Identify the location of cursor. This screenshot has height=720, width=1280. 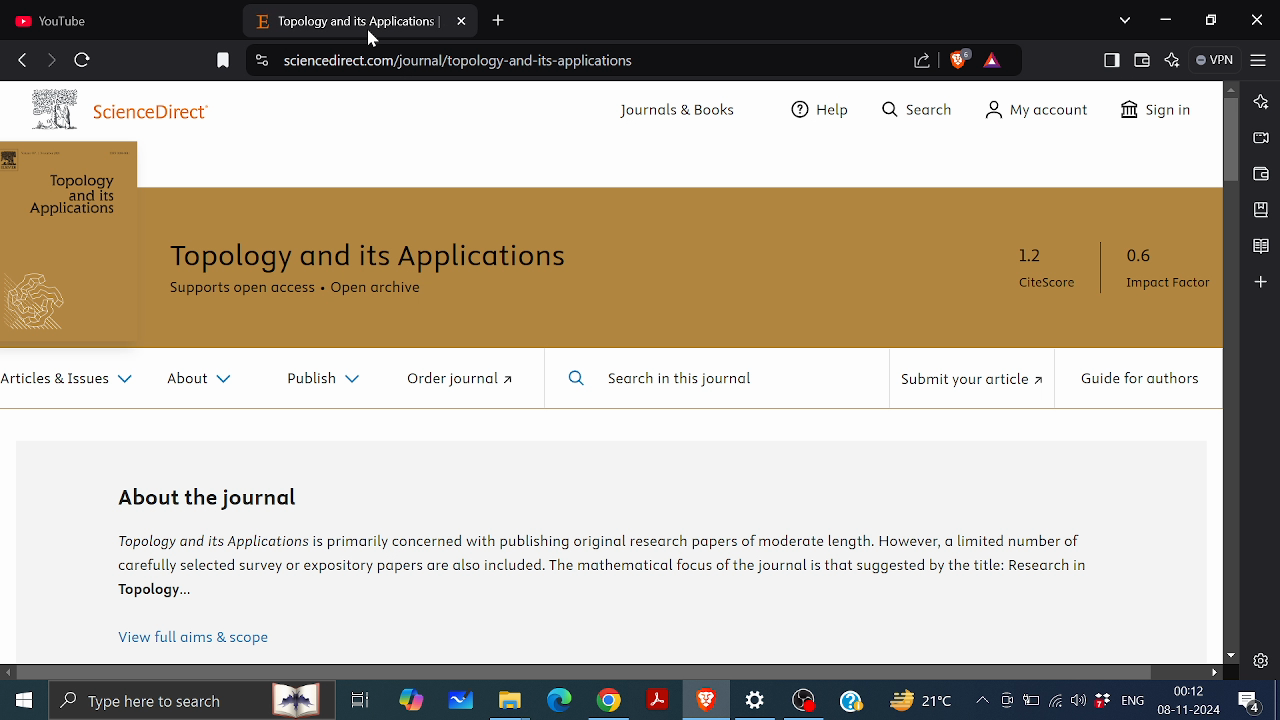
(374, 41).